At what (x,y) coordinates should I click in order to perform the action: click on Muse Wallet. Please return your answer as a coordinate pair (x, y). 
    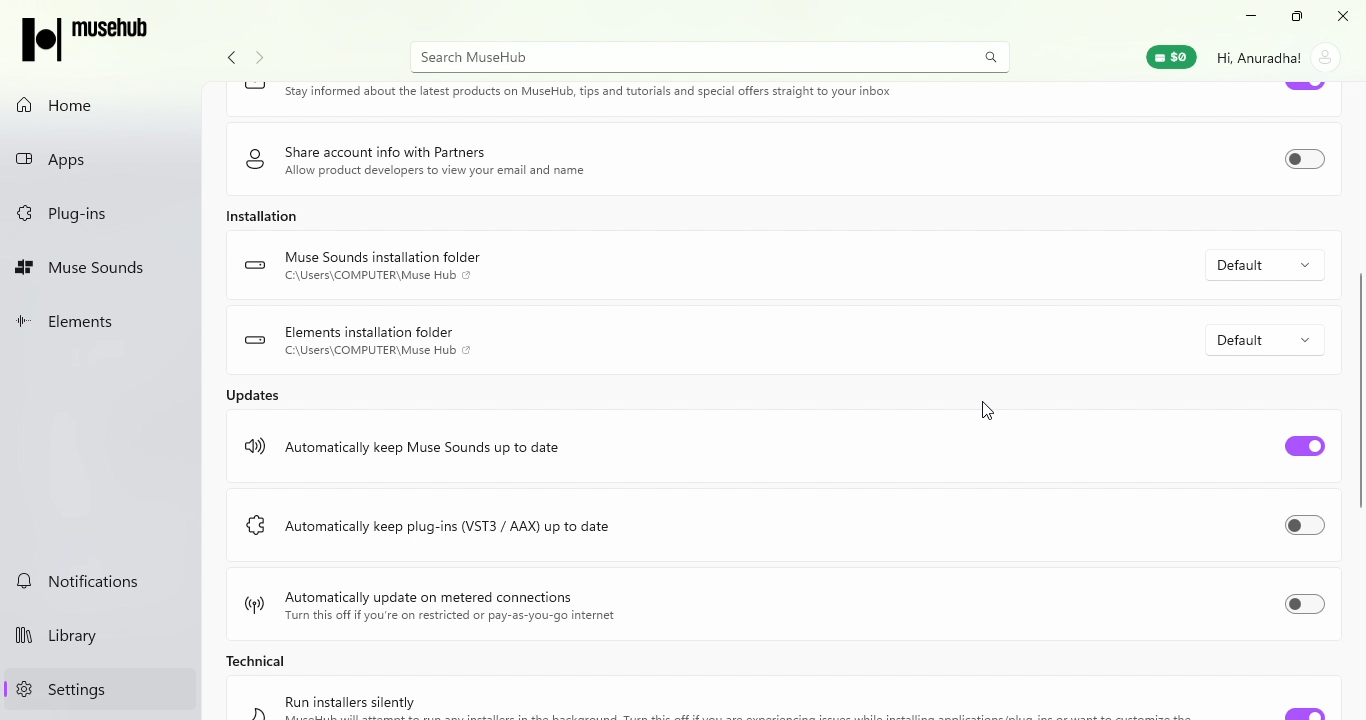
    Looking at the image, I should click on (1170, 58).